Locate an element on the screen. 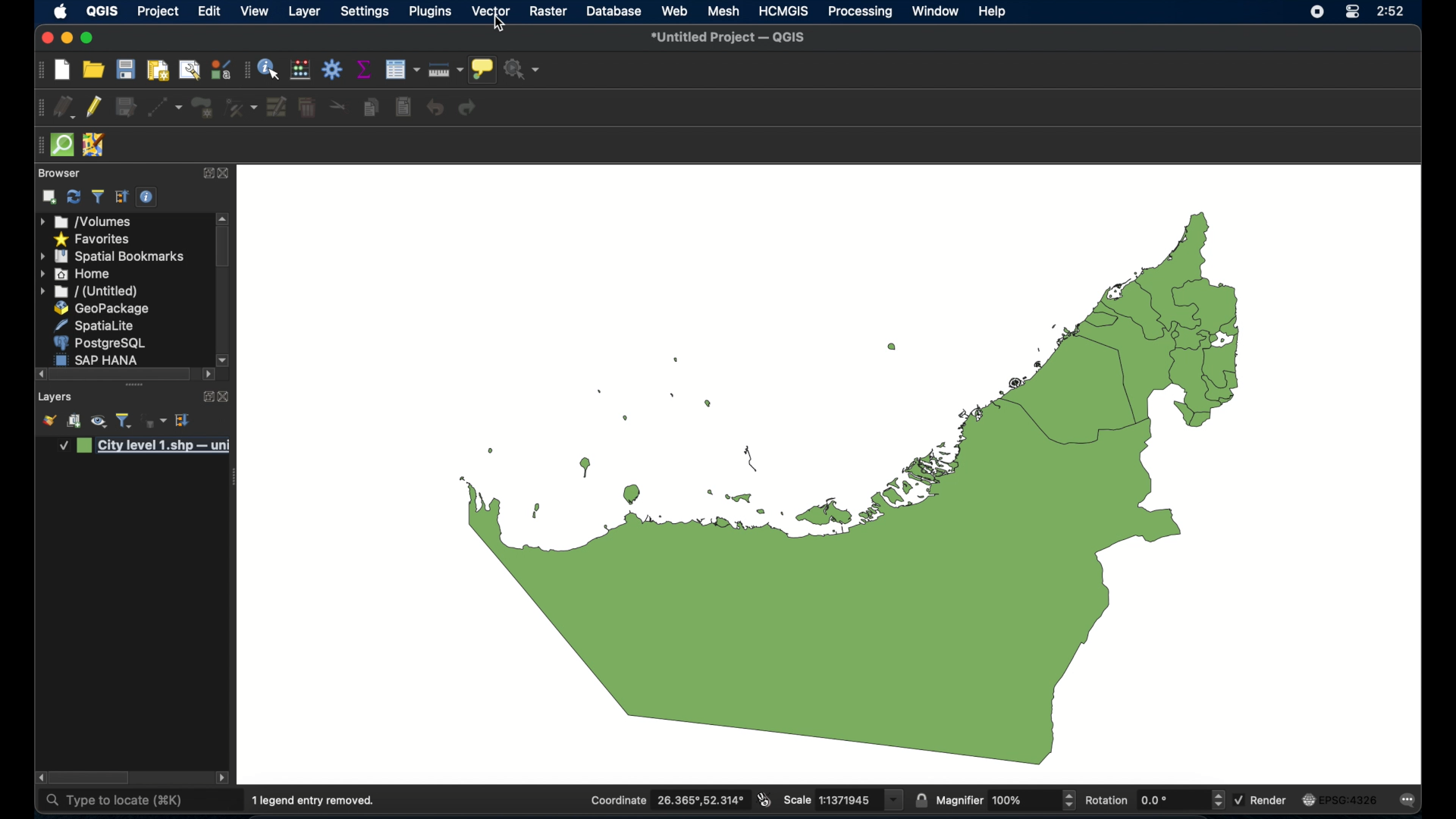  scroll up arrow is located at coordinates (224, 217).